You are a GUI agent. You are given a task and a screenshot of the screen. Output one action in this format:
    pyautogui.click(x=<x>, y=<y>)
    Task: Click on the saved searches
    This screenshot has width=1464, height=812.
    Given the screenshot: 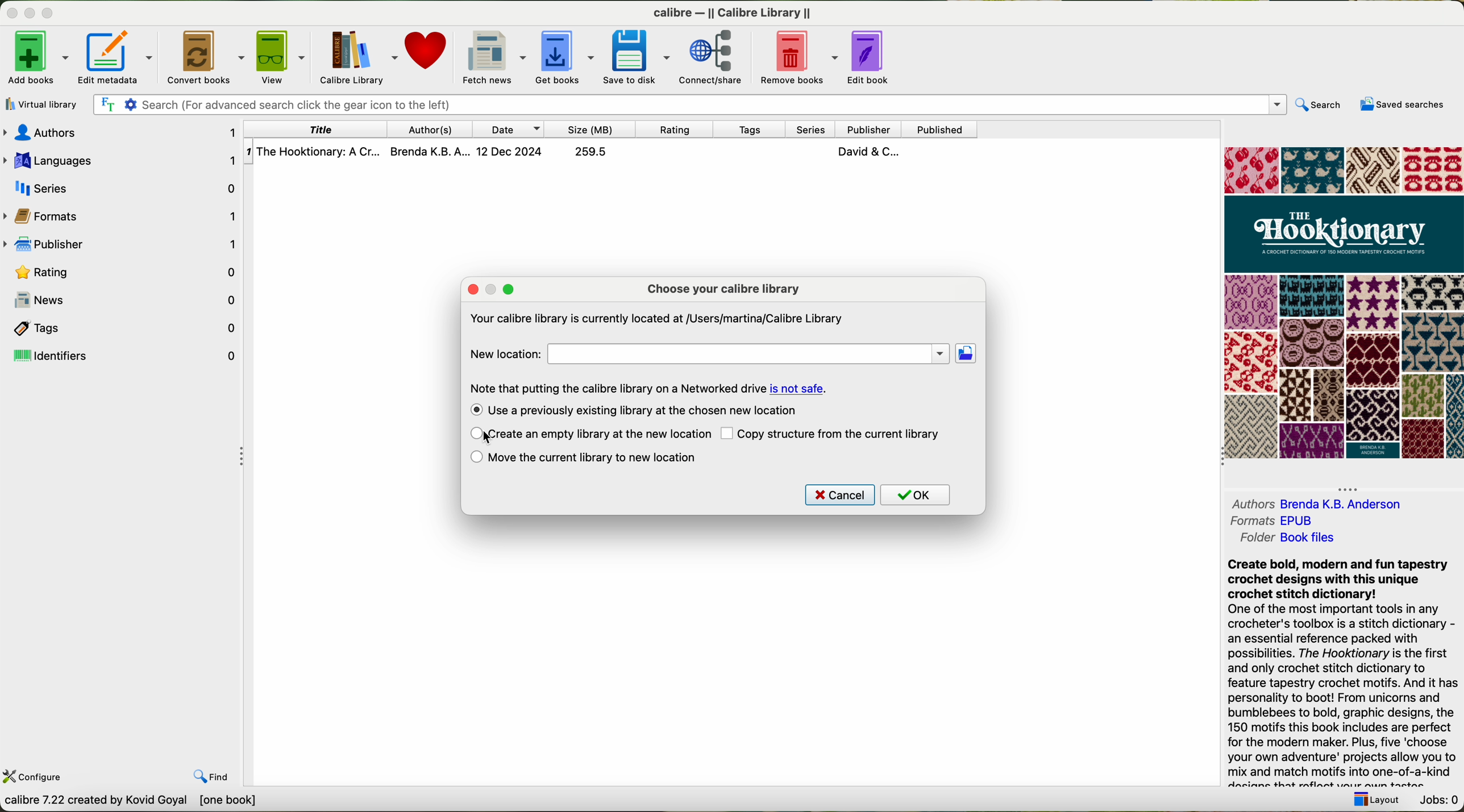 What is the action you would take?
    pyautogui.click(x=1401, y=105)
    